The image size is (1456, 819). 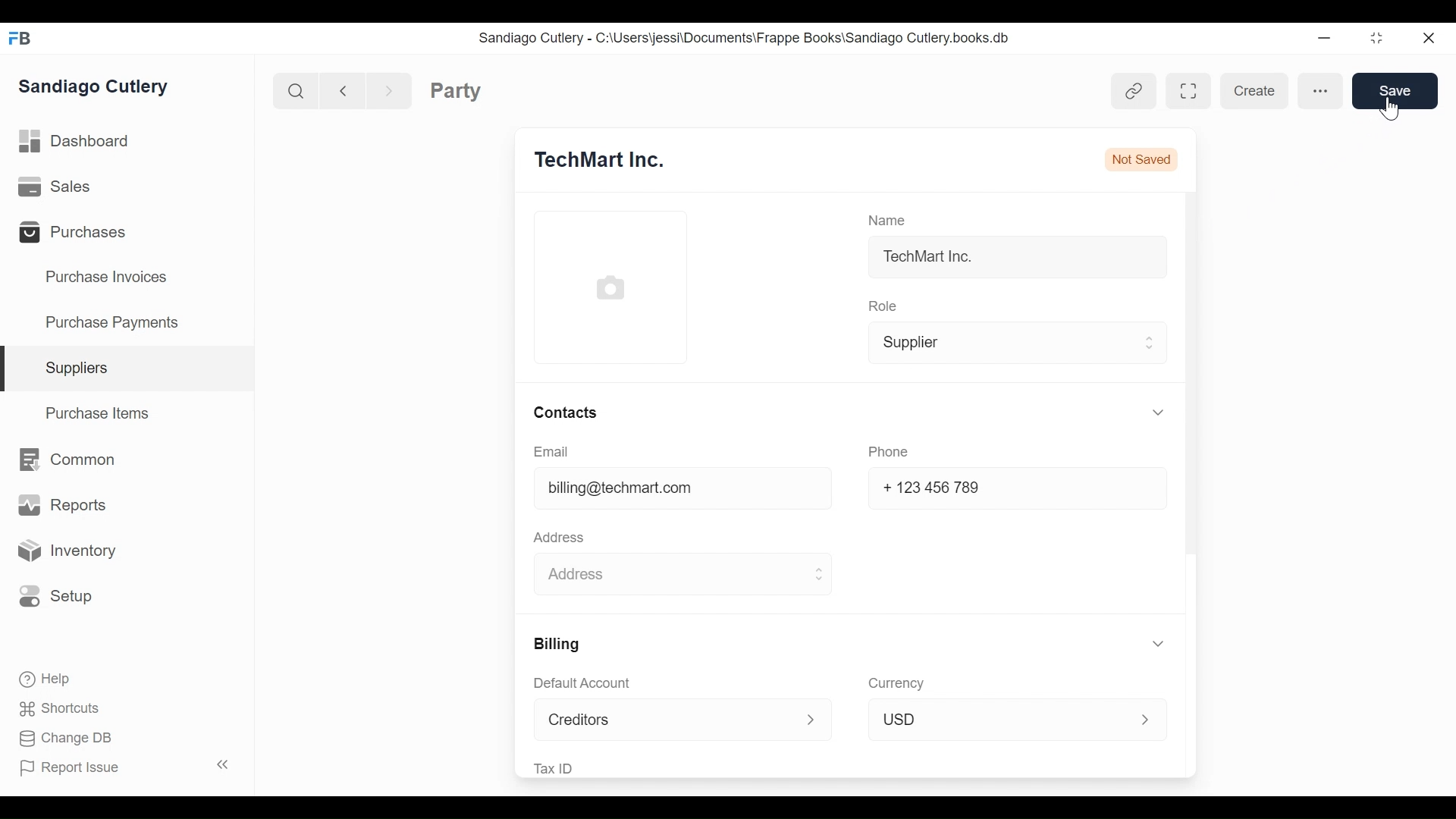 What do you see at coordinates (616, 159) in the screenshot?
I see `TechMart Inc.` at bounding box center [616, 159].